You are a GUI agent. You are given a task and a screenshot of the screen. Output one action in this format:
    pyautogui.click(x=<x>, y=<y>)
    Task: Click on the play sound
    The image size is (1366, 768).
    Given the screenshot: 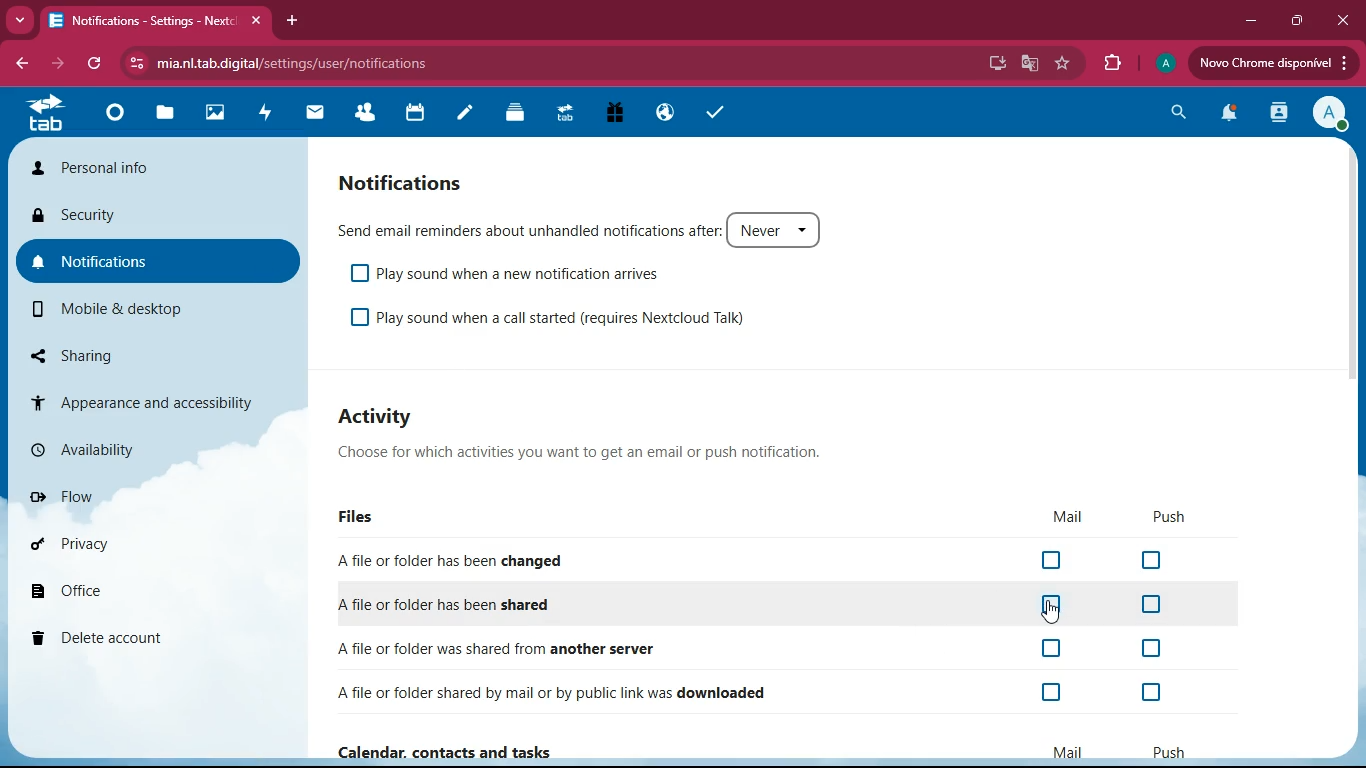 What is the action you would take?
    pyautogui.click(x=511, y=273)
    